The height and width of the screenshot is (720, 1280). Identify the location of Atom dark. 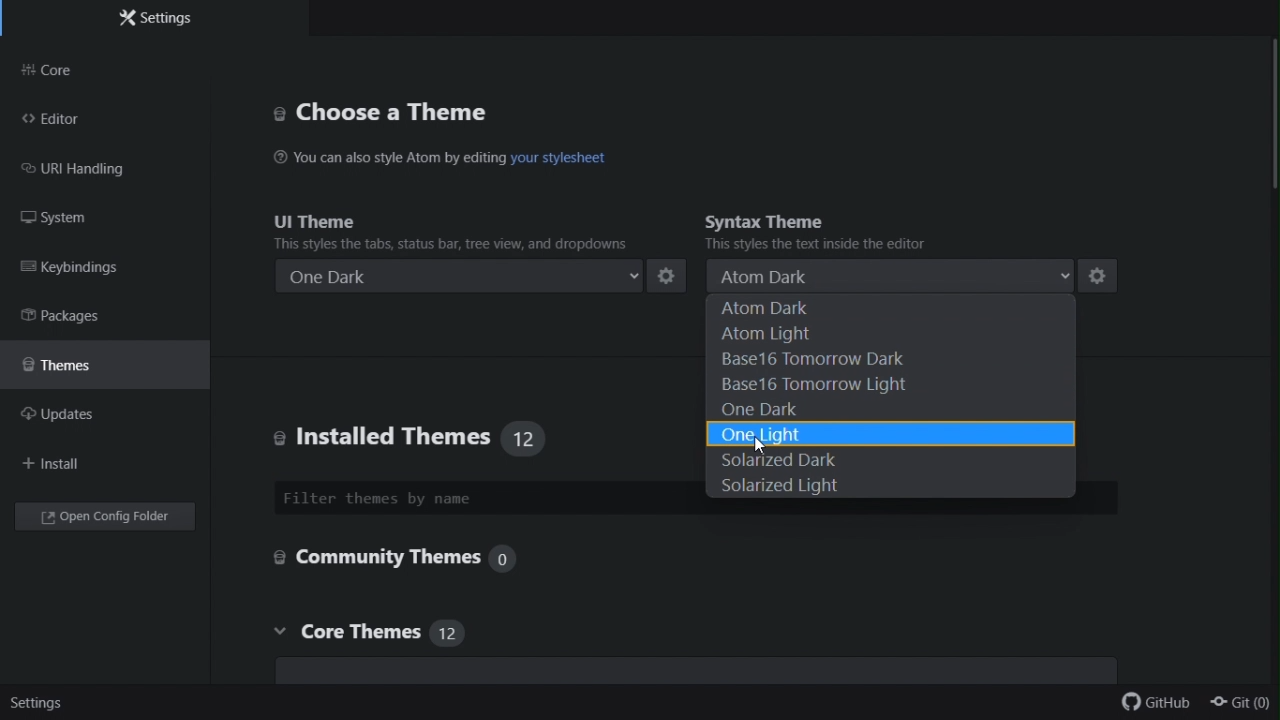
(889, 278).